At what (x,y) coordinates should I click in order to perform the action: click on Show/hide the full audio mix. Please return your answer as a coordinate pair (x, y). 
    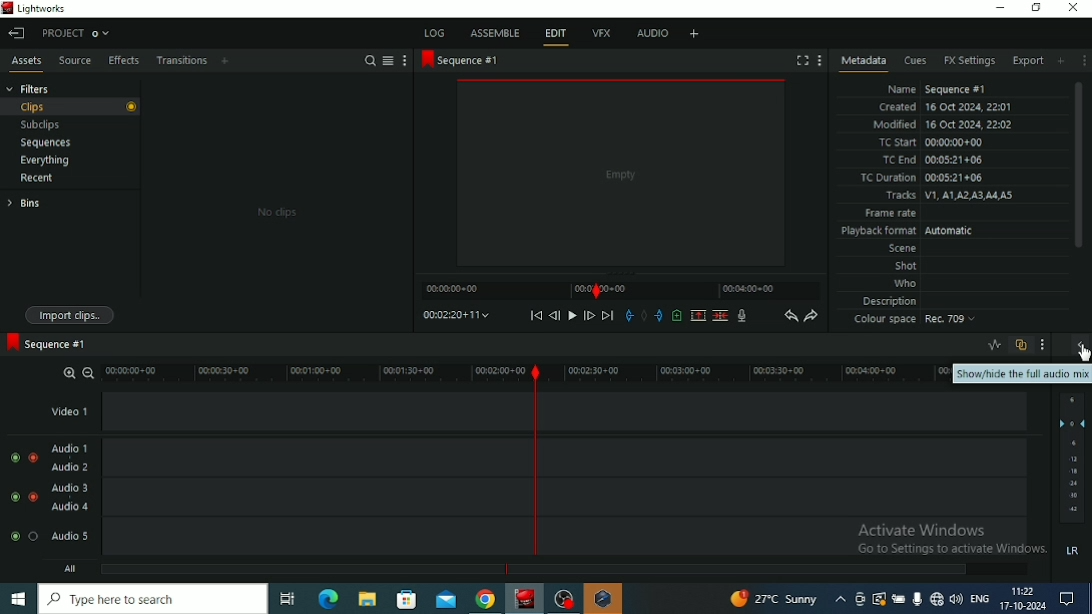
    Looking at the image, I should click on (1080, 348).